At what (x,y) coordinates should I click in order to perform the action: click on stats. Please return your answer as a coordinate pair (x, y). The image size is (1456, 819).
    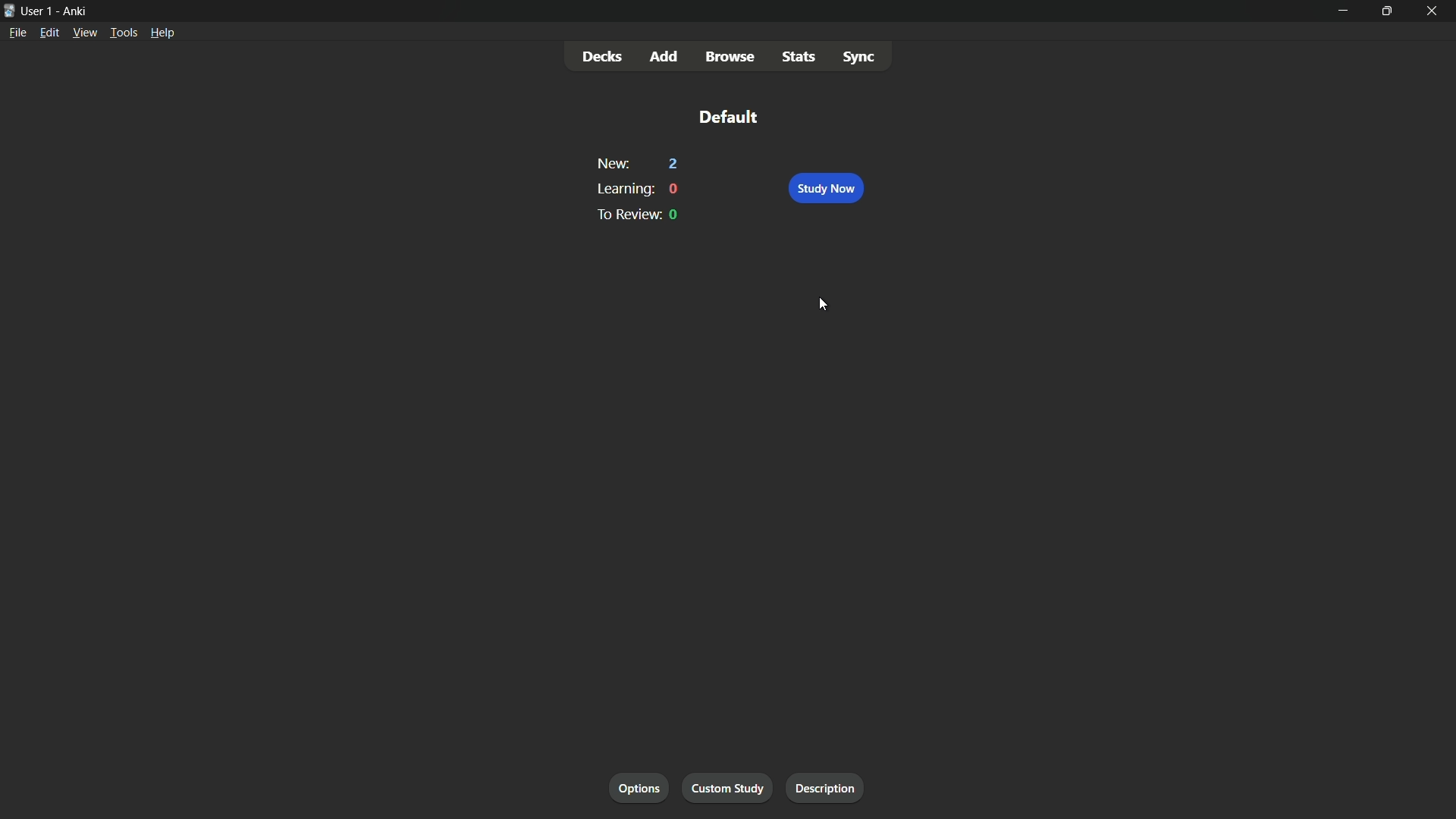
    Looking at the image, I should click on (799, 58).